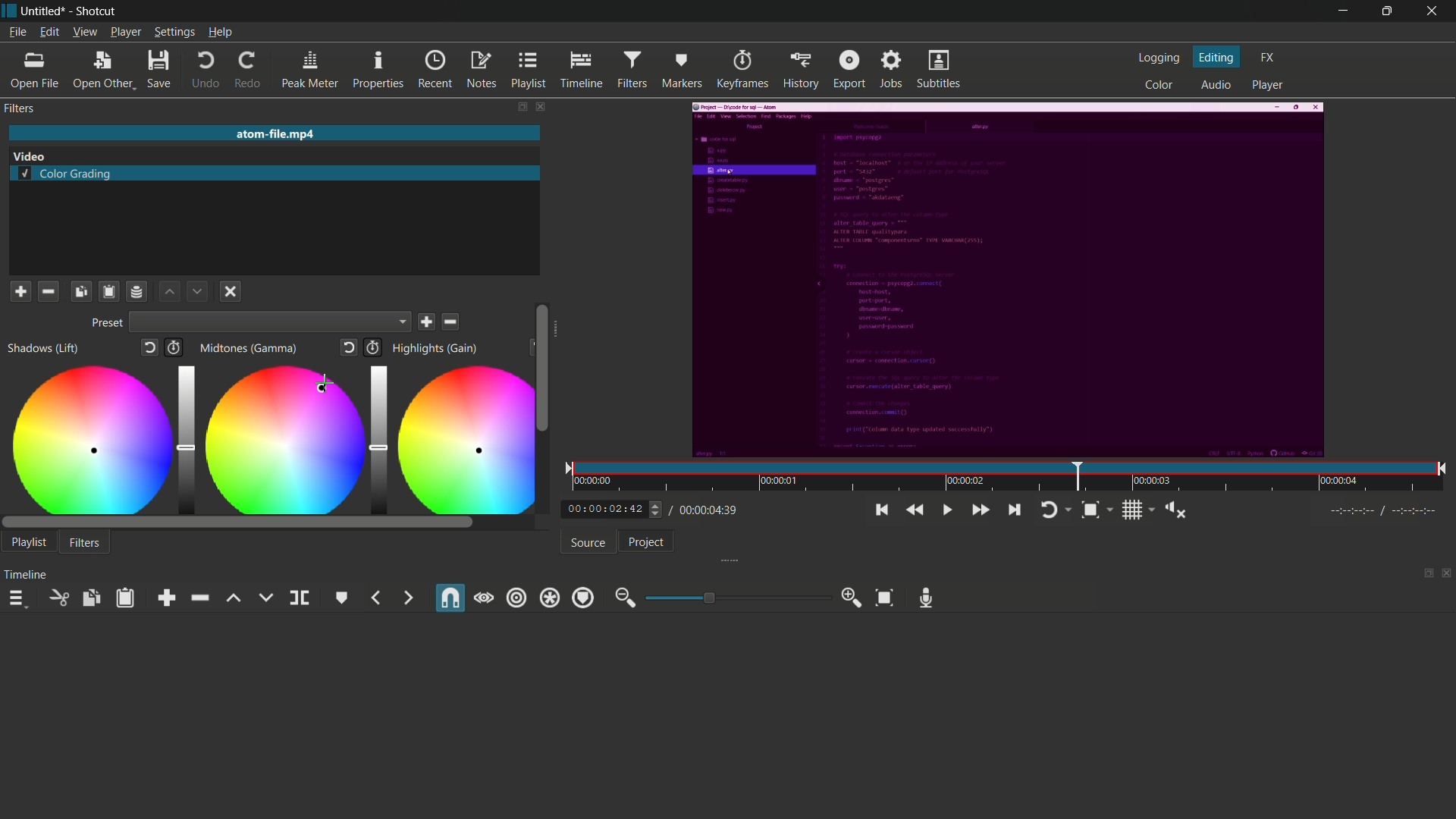  What do you see at coordinates (137, 291) in the screenshot?
I see `Channel` at bounding box center [137, 291].